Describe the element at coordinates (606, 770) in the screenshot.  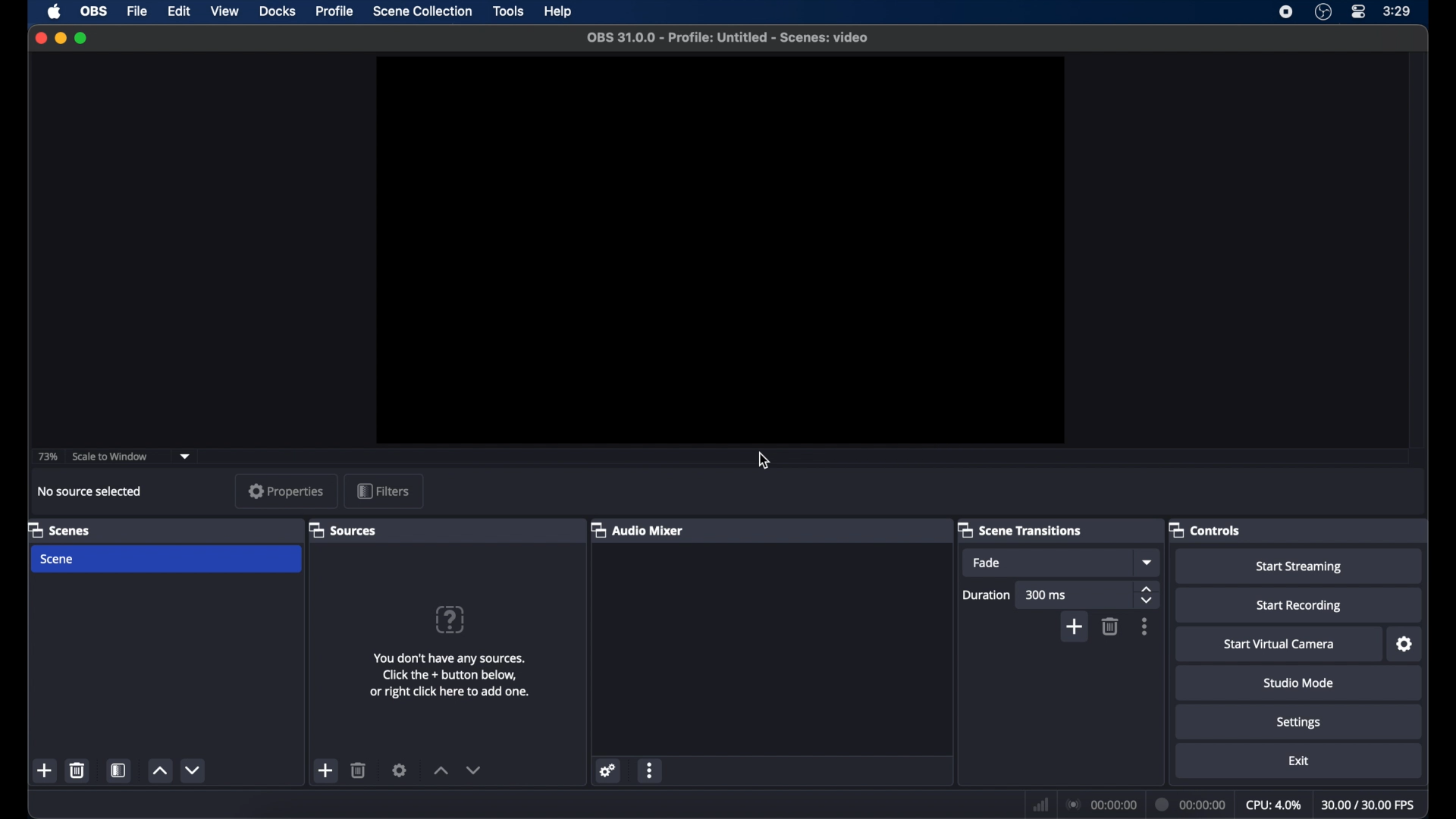
I see `settings` at that location.